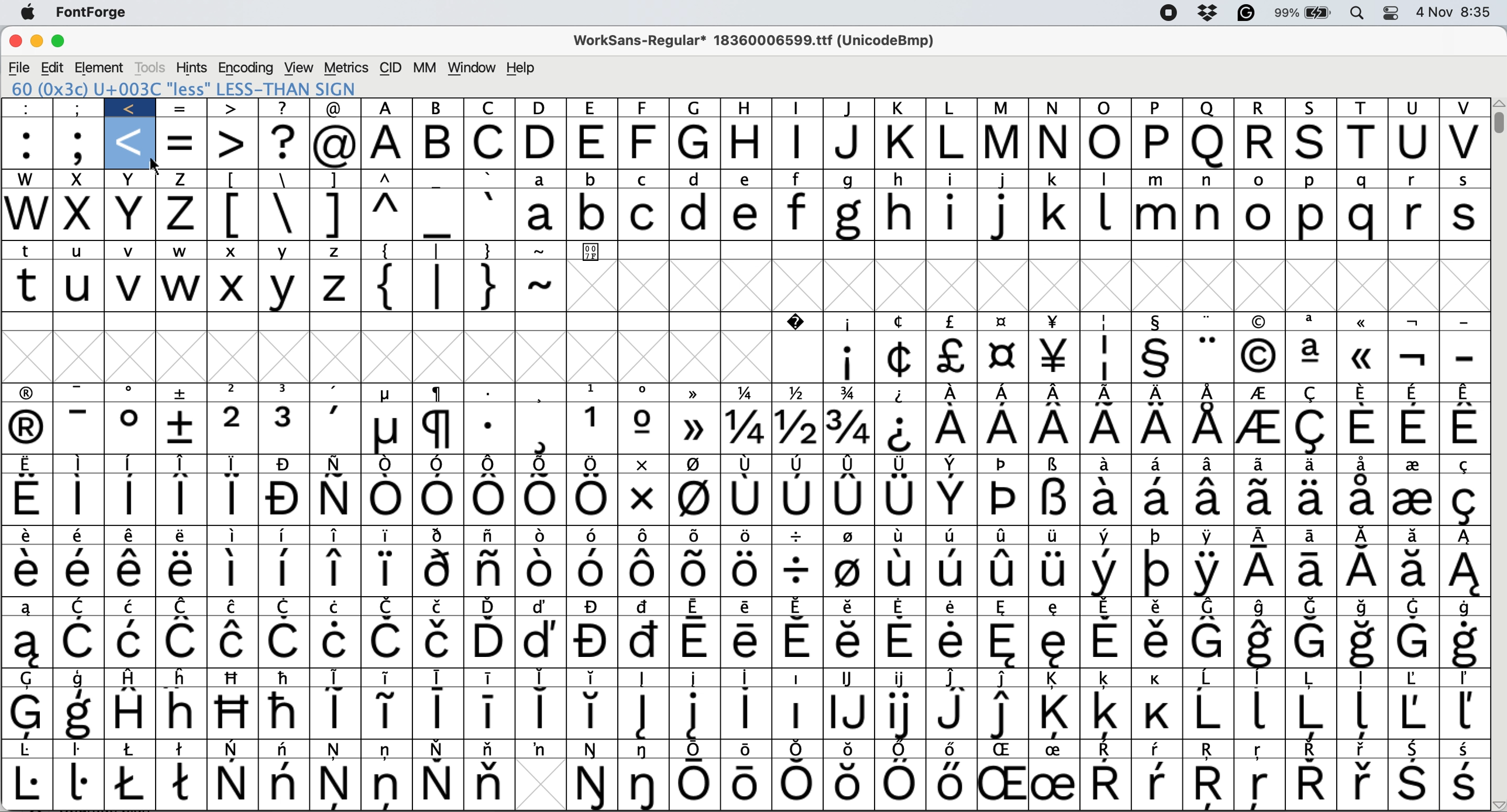  I want to click on Symbol, so click(594, 465).